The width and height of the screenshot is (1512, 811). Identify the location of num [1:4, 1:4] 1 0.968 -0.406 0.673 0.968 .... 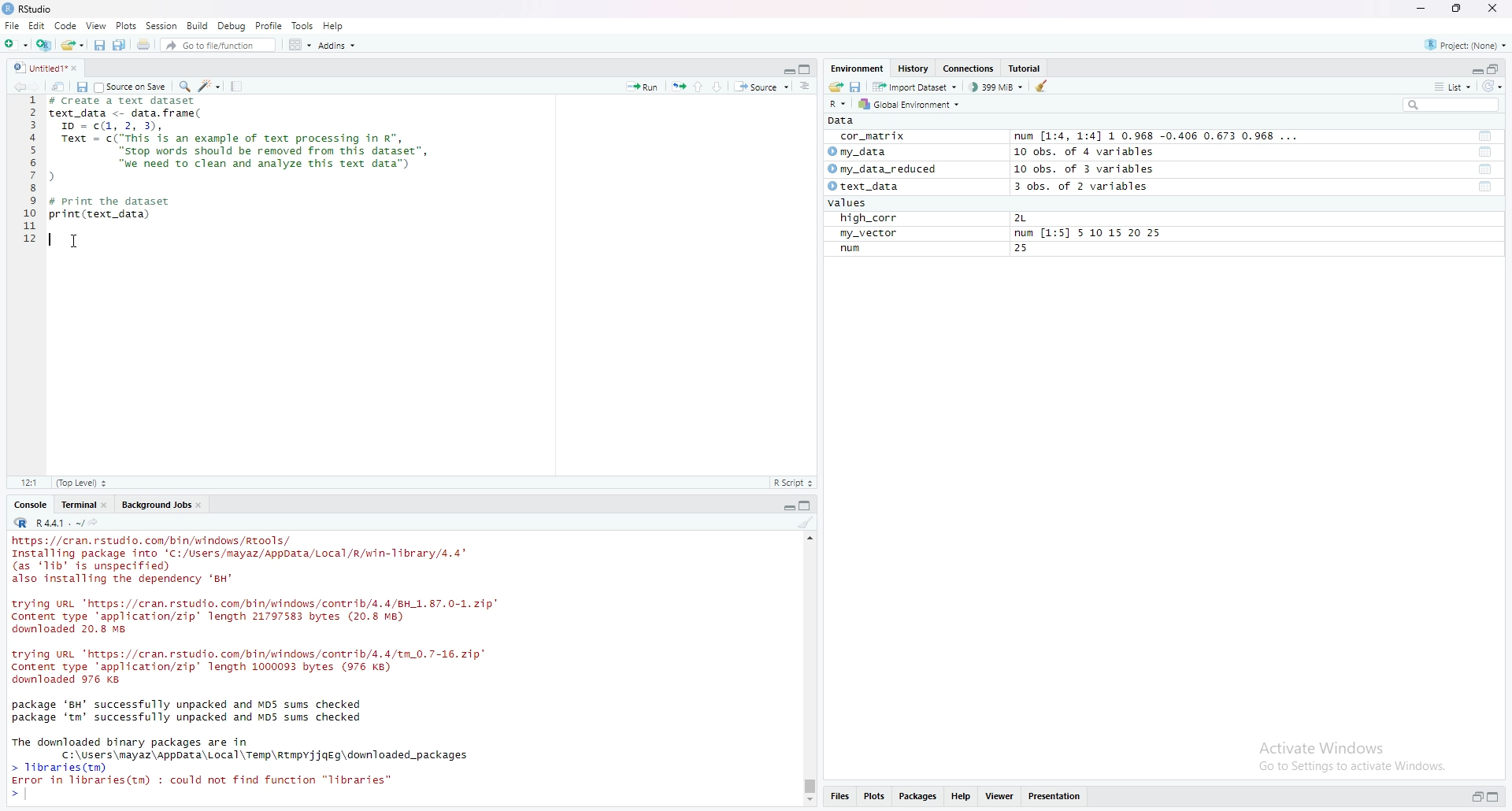
(1161, 135).